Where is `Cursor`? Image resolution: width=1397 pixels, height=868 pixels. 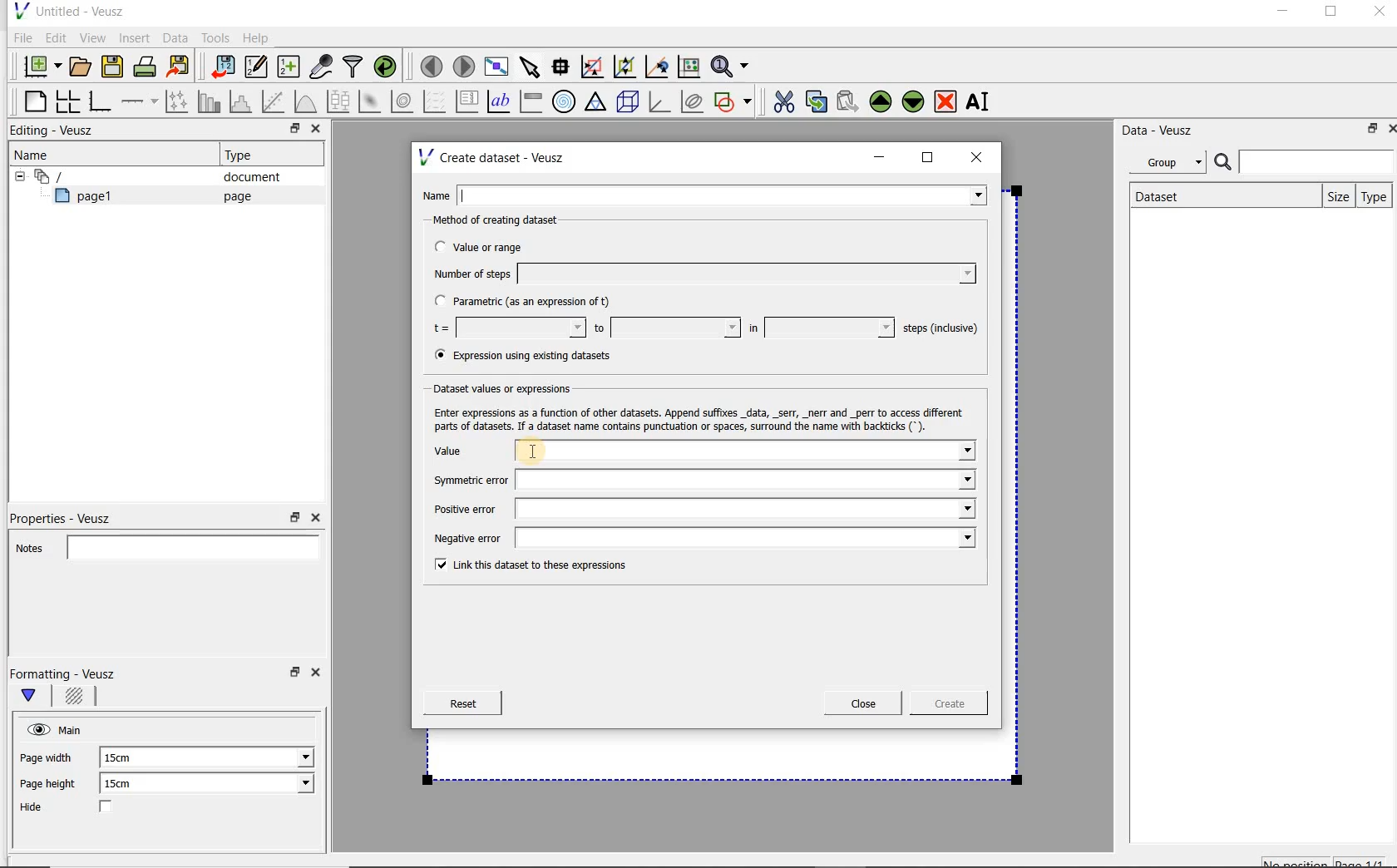 Cursor is located at coordinates (550, 450).